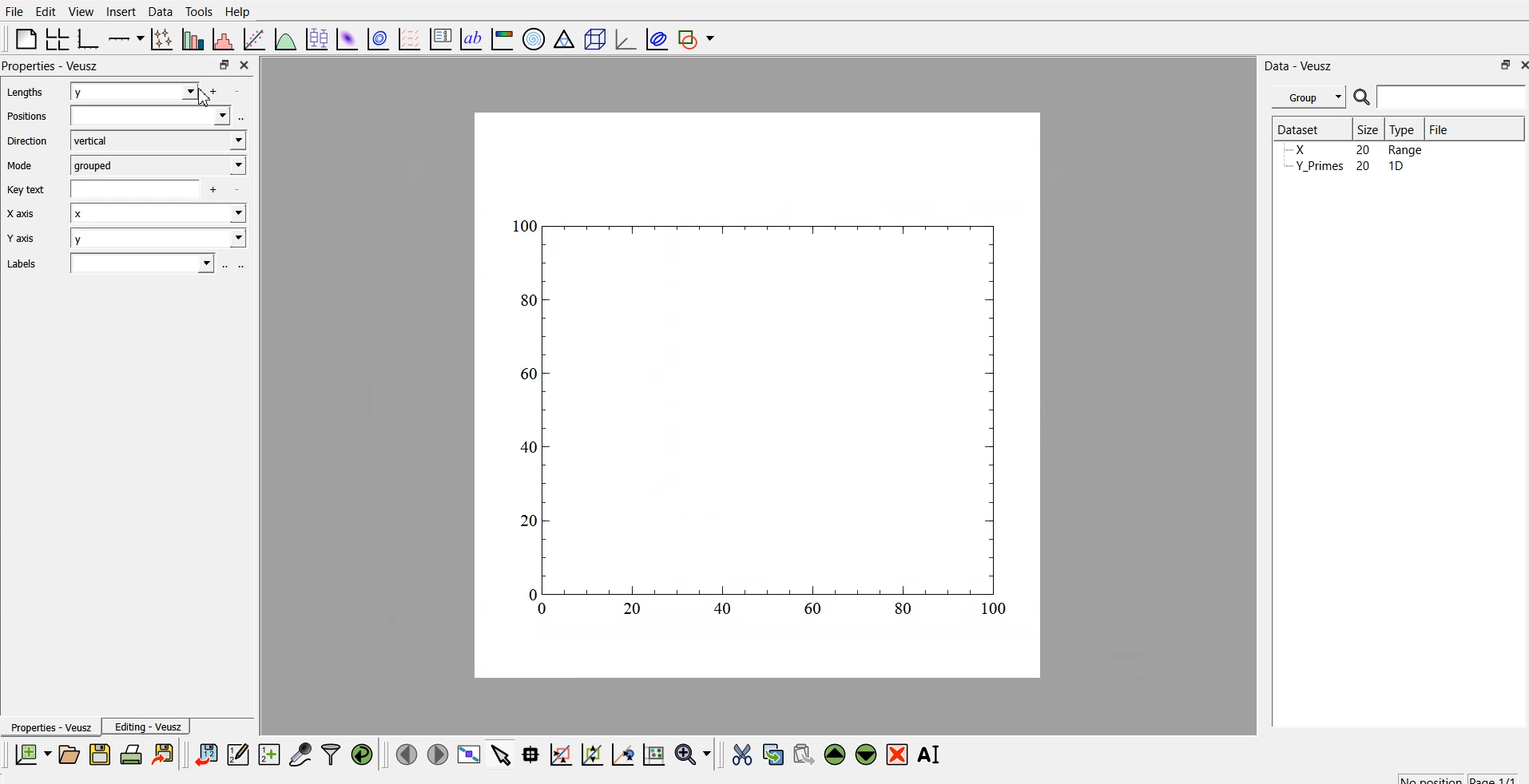  Describe the element at coordinates (657, 38) in the screenshot. I see `plot covariance ellipses` at that location.